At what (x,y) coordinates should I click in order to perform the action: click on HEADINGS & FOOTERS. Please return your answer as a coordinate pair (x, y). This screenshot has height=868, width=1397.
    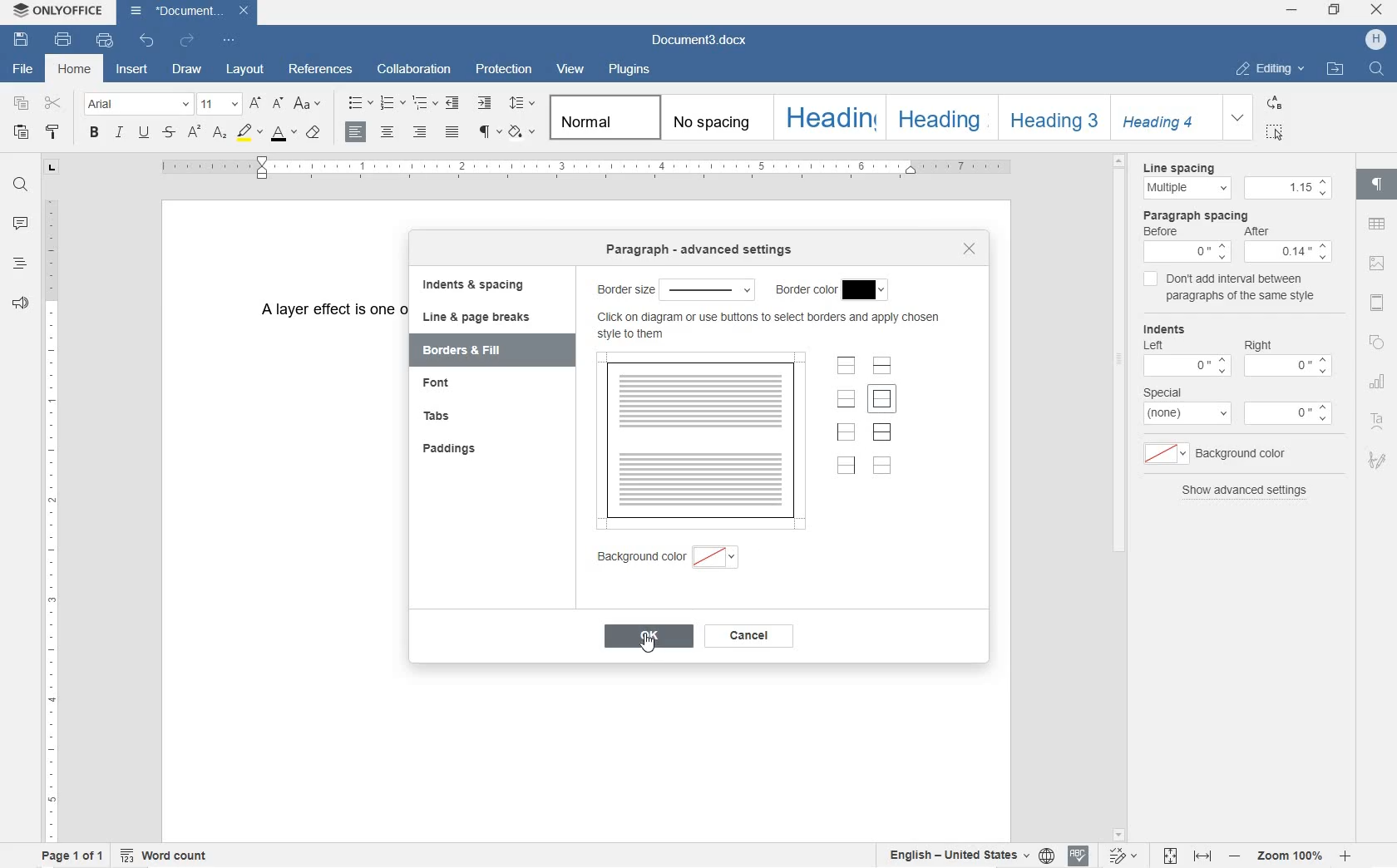
    Looking at the image, I should click on (1376, 302).